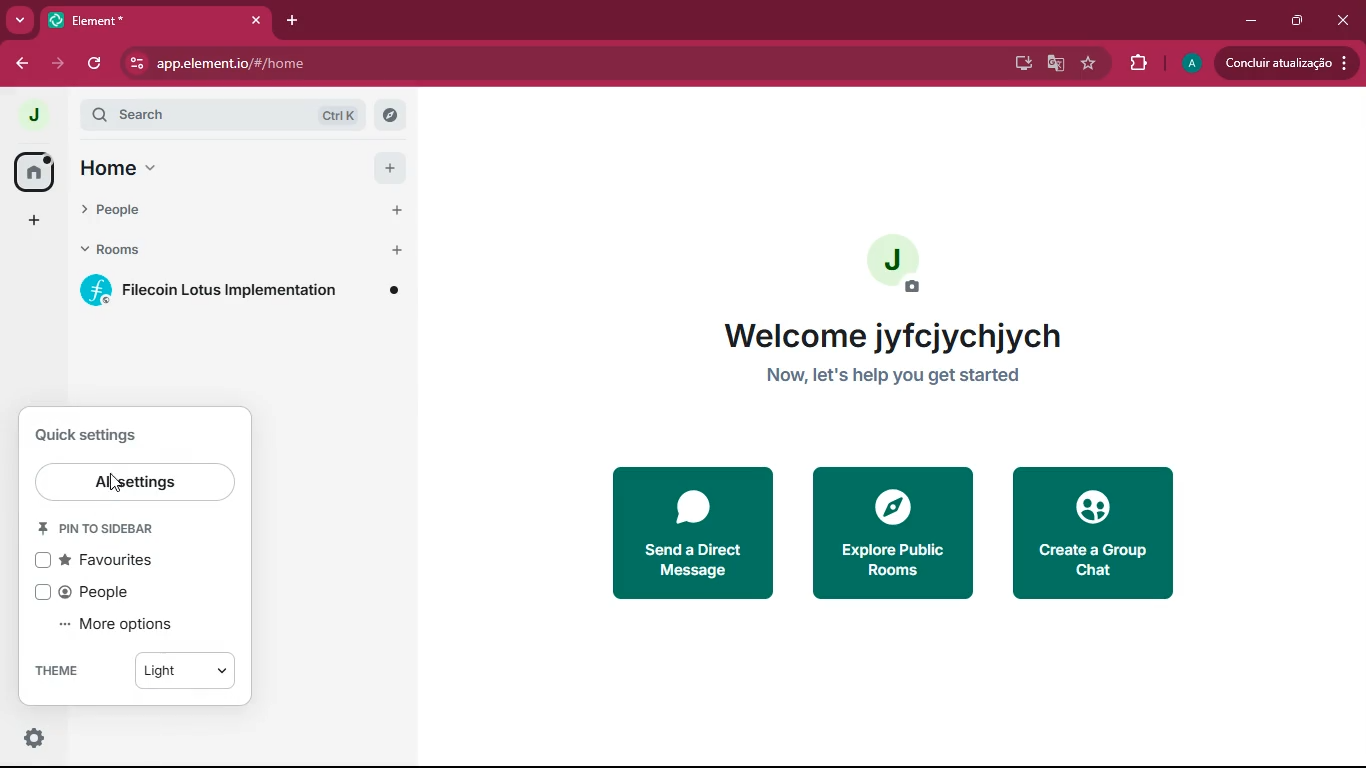 The width and height of the screenshot is (1366, 768). I want to click on add, so click(395, 210).